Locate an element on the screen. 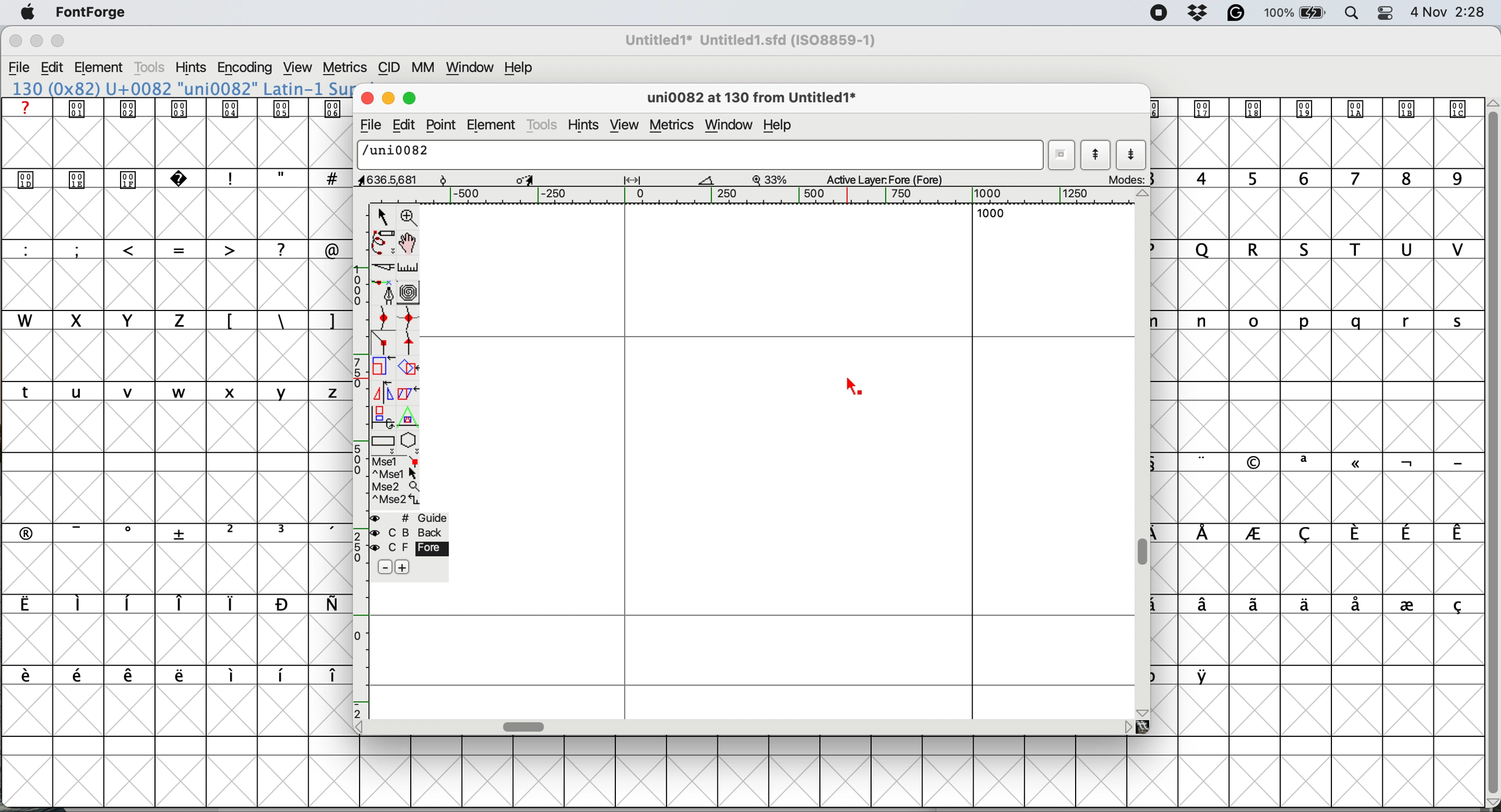  selections is located at coordinates (397, 482).